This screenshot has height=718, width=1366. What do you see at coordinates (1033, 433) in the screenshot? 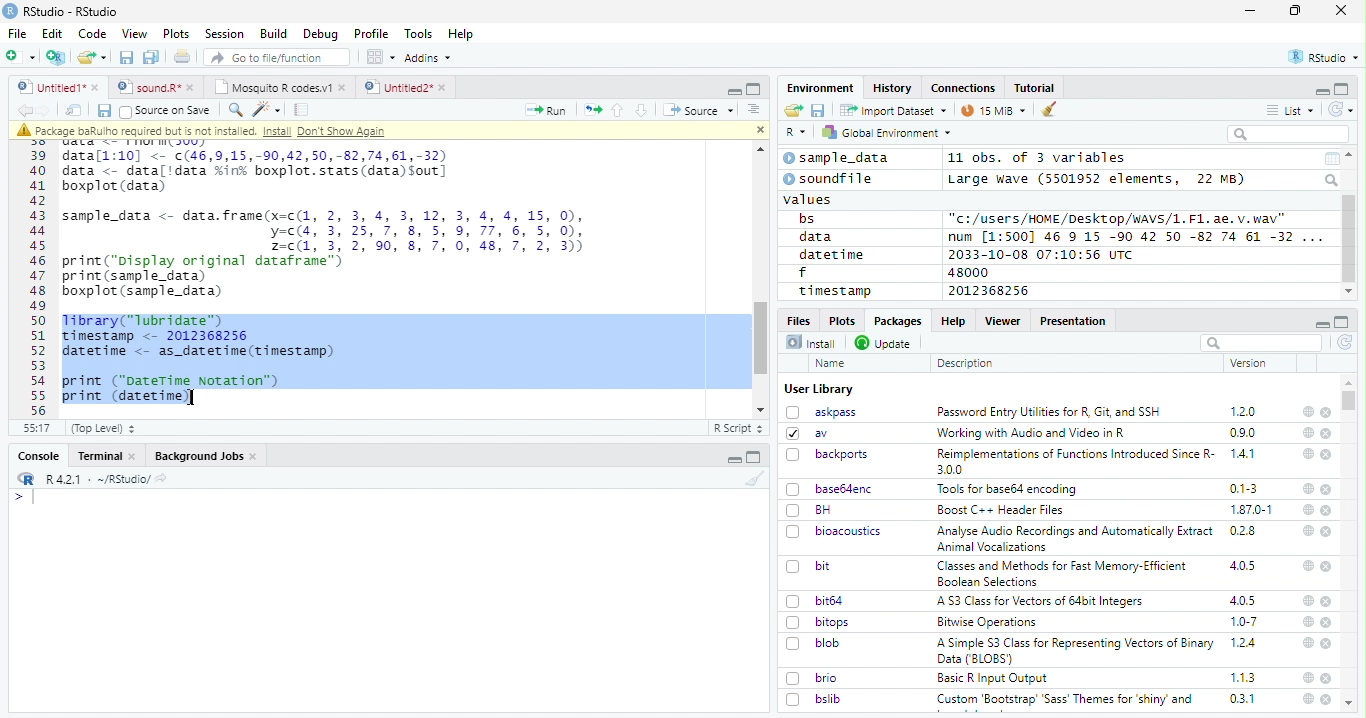
I see `‘Working with Audio and Video inR` at bounding box center [1033, 433].